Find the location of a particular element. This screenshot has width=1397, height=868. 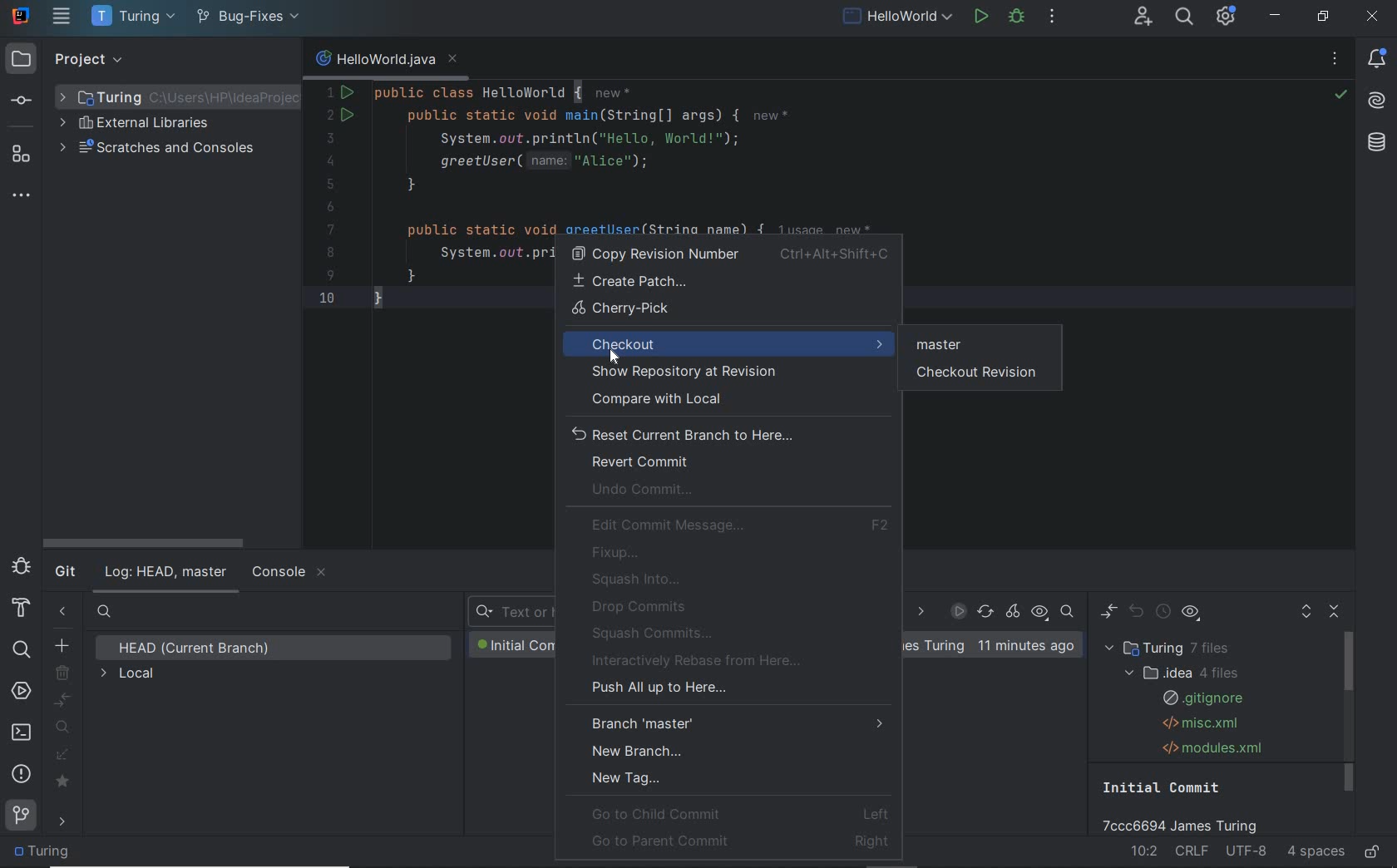

show my branches is located at coordinates (65, 727).